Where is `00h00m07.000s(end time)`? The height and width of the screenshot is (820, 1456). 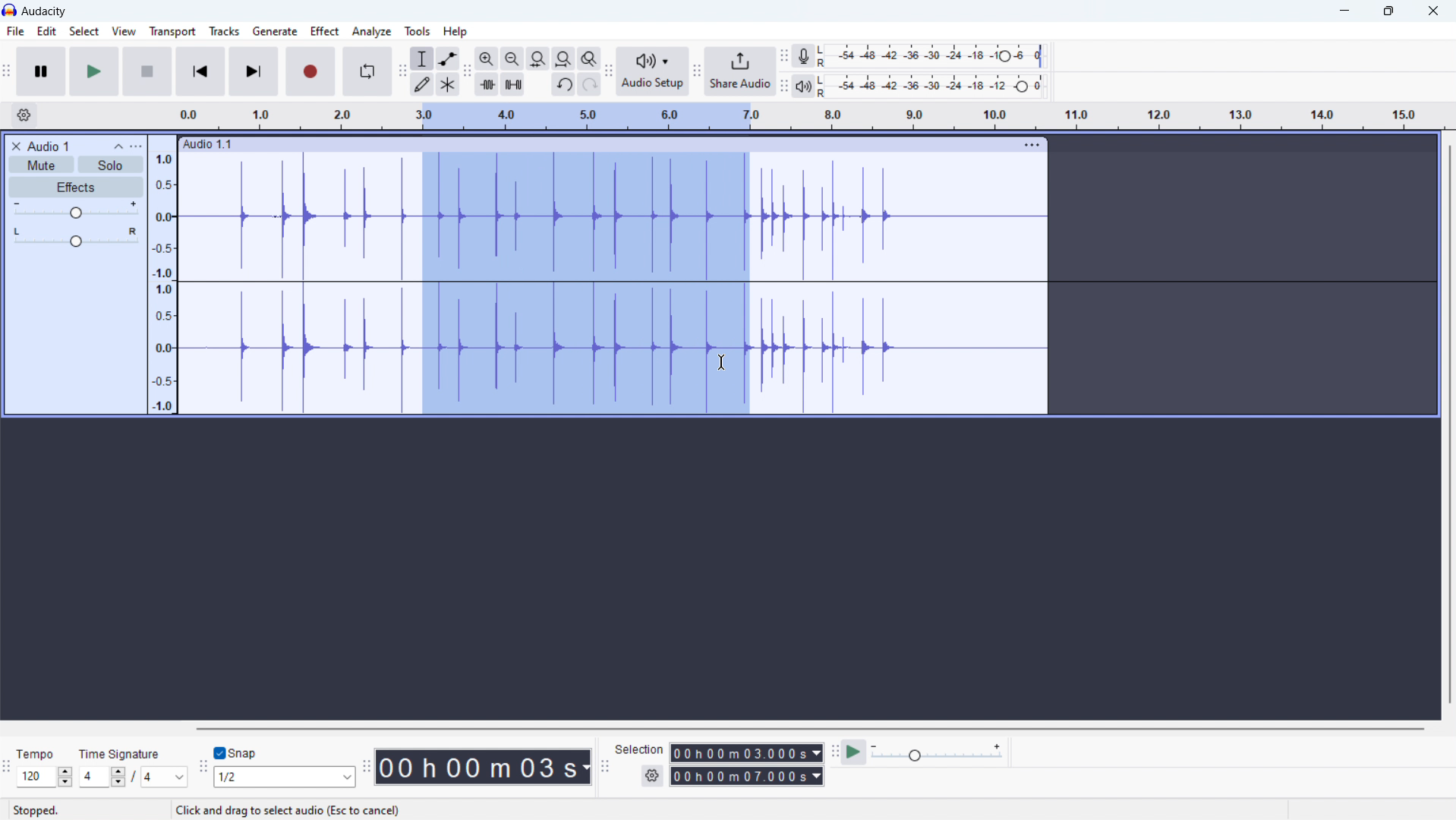
00h00m07.000s(end time) is located at coordinates (746, 776).